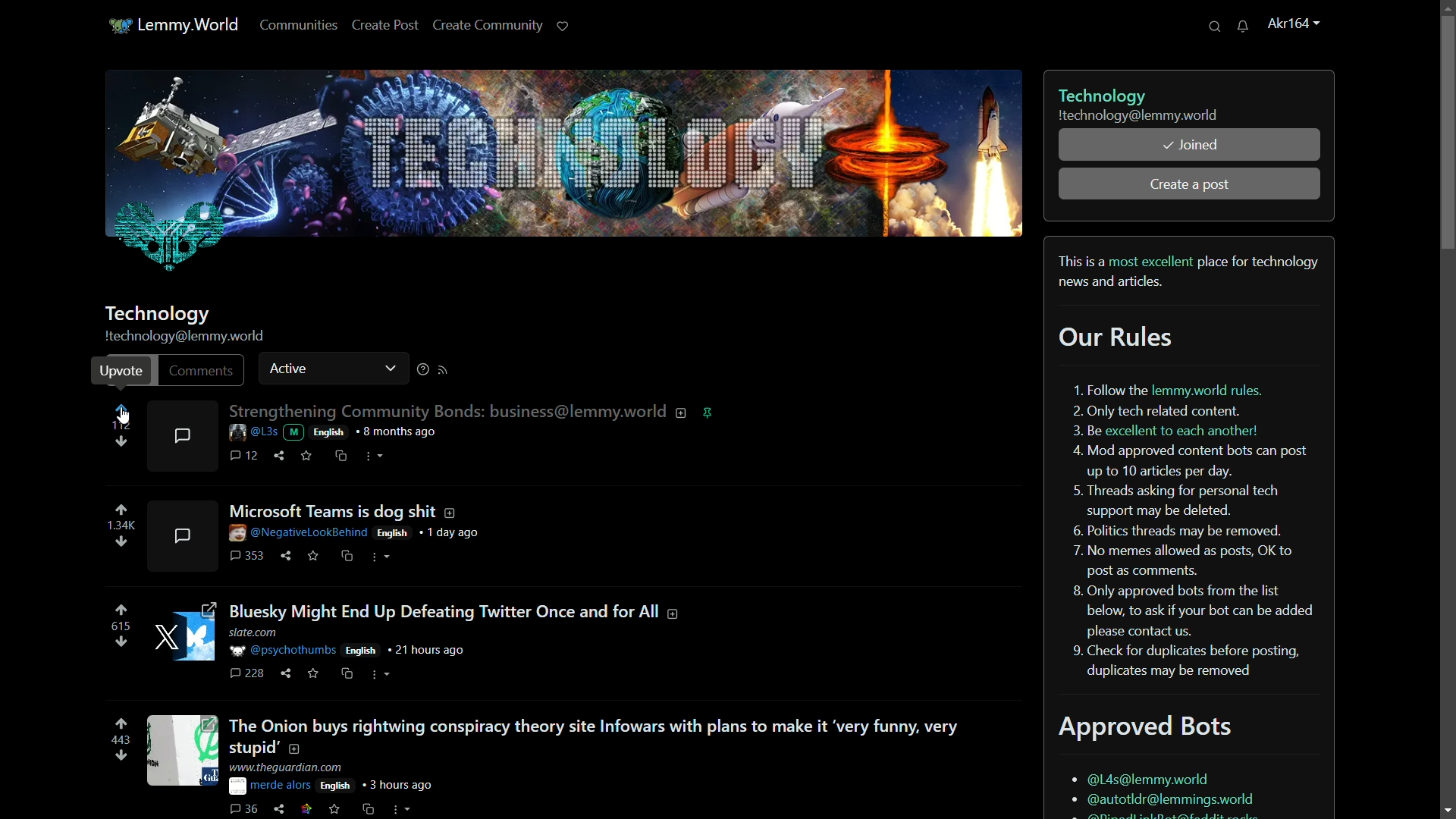 This screenshot has width=1456, height=819. Describe the element at coordinates (376, 455) in the screenshot. I see `more` at that location.